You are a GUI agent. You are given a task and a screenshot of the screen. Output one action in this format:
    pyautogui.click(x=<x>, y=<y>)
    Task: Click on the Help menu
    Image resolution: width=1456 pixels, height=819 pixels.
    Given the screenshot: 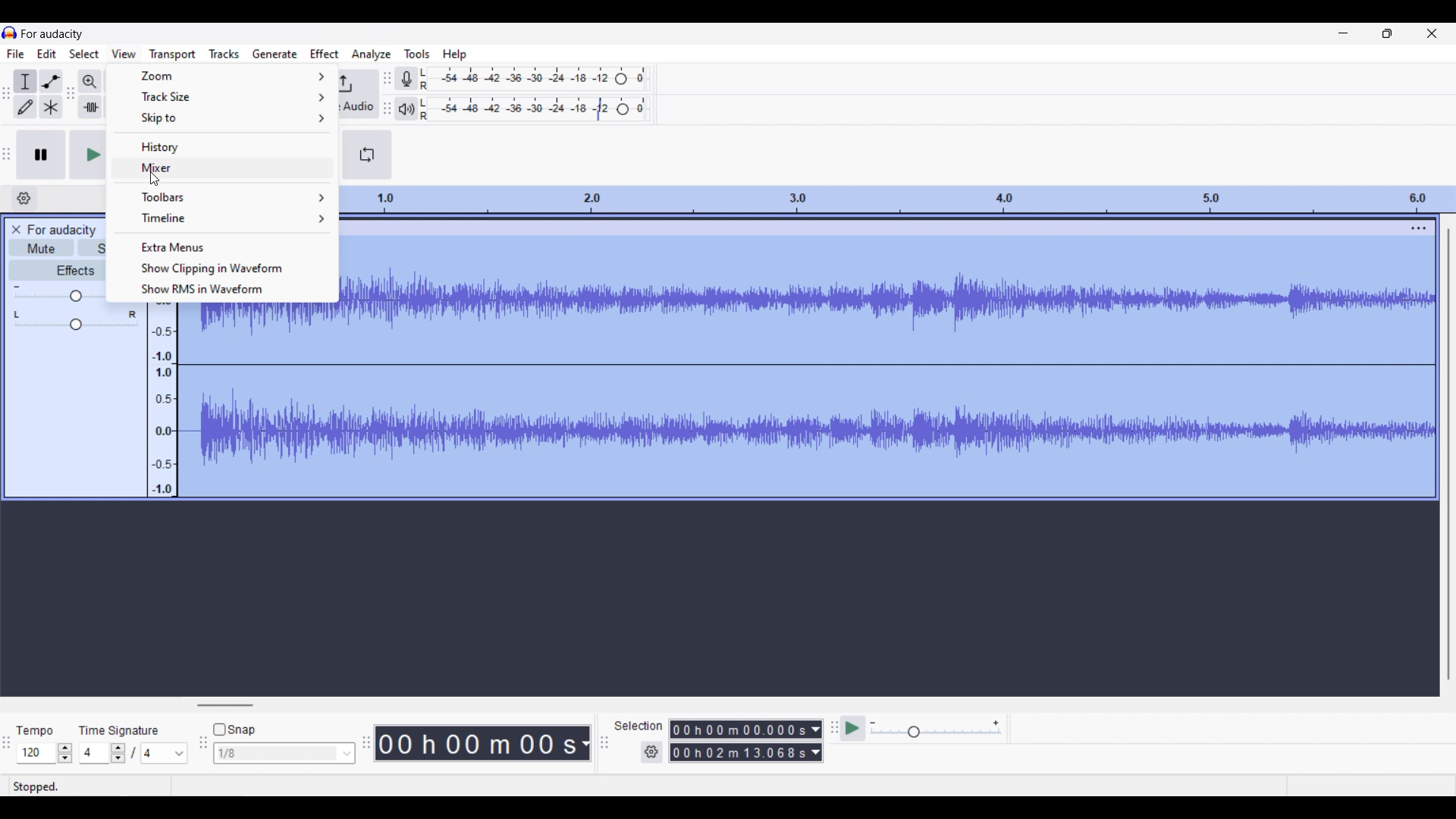 What is the action you would take?
    pyautogui.click(x=455, y=55)
    